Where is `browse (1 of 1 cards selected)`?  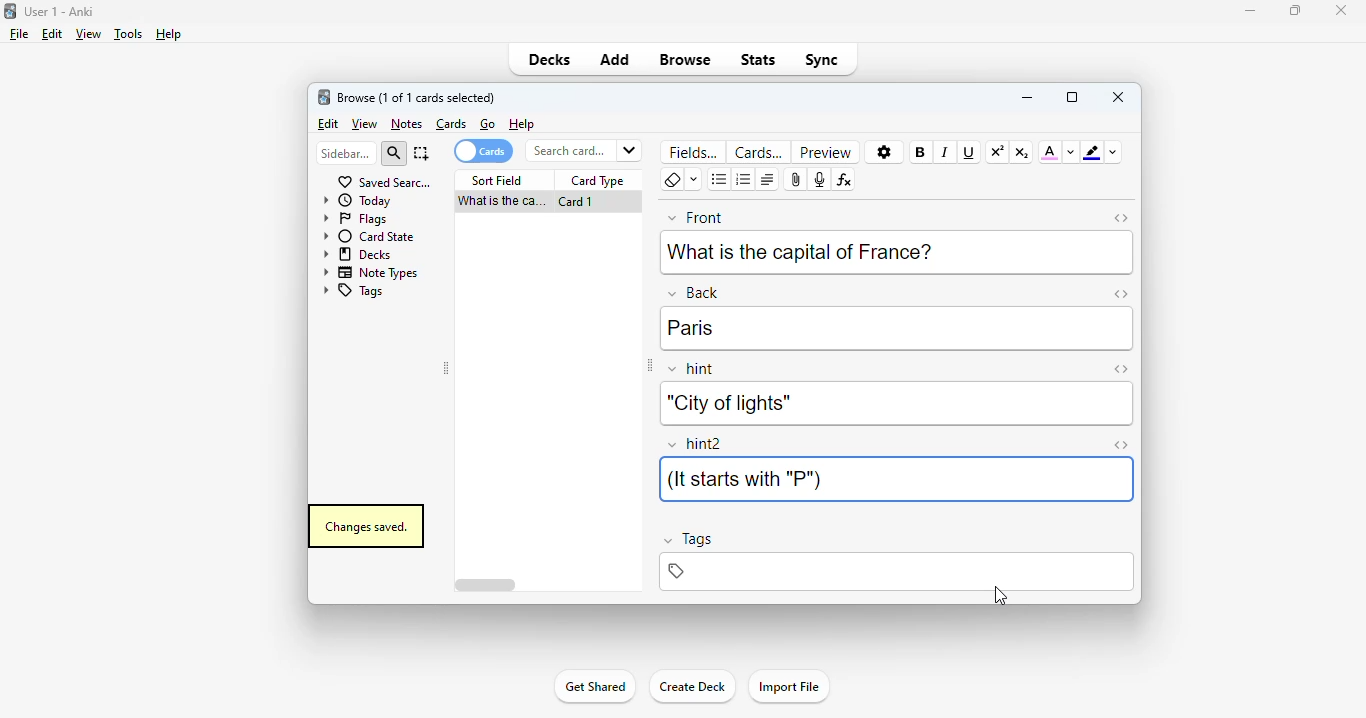 browse (1 of 1 cards selected) is located at coordinates (417, 97).